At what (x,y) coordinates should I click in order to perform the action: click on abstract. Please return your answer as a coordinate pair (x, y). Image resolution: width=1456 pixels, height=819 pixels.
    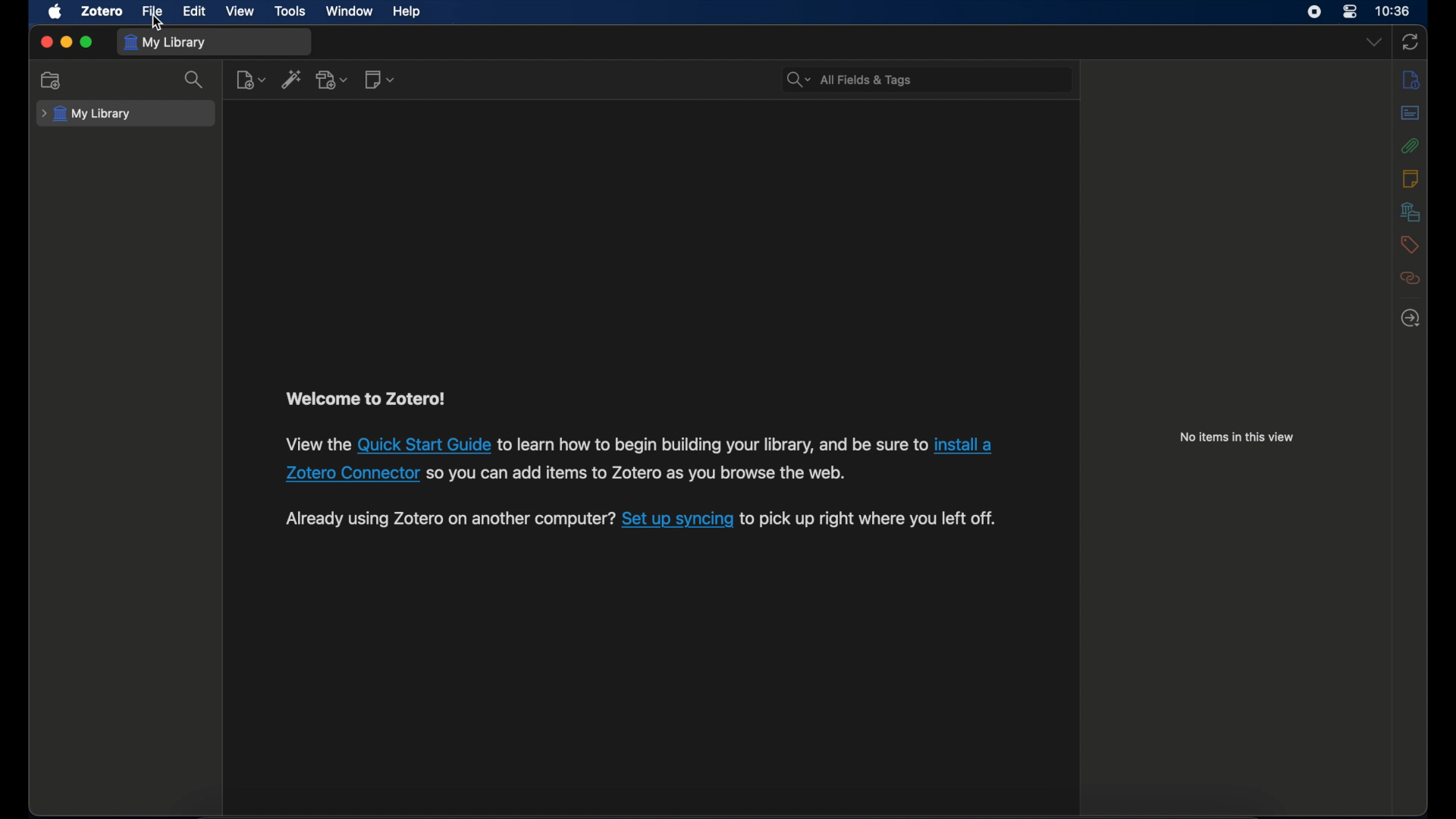
    Looking at the image, I should click on (1411, 113).